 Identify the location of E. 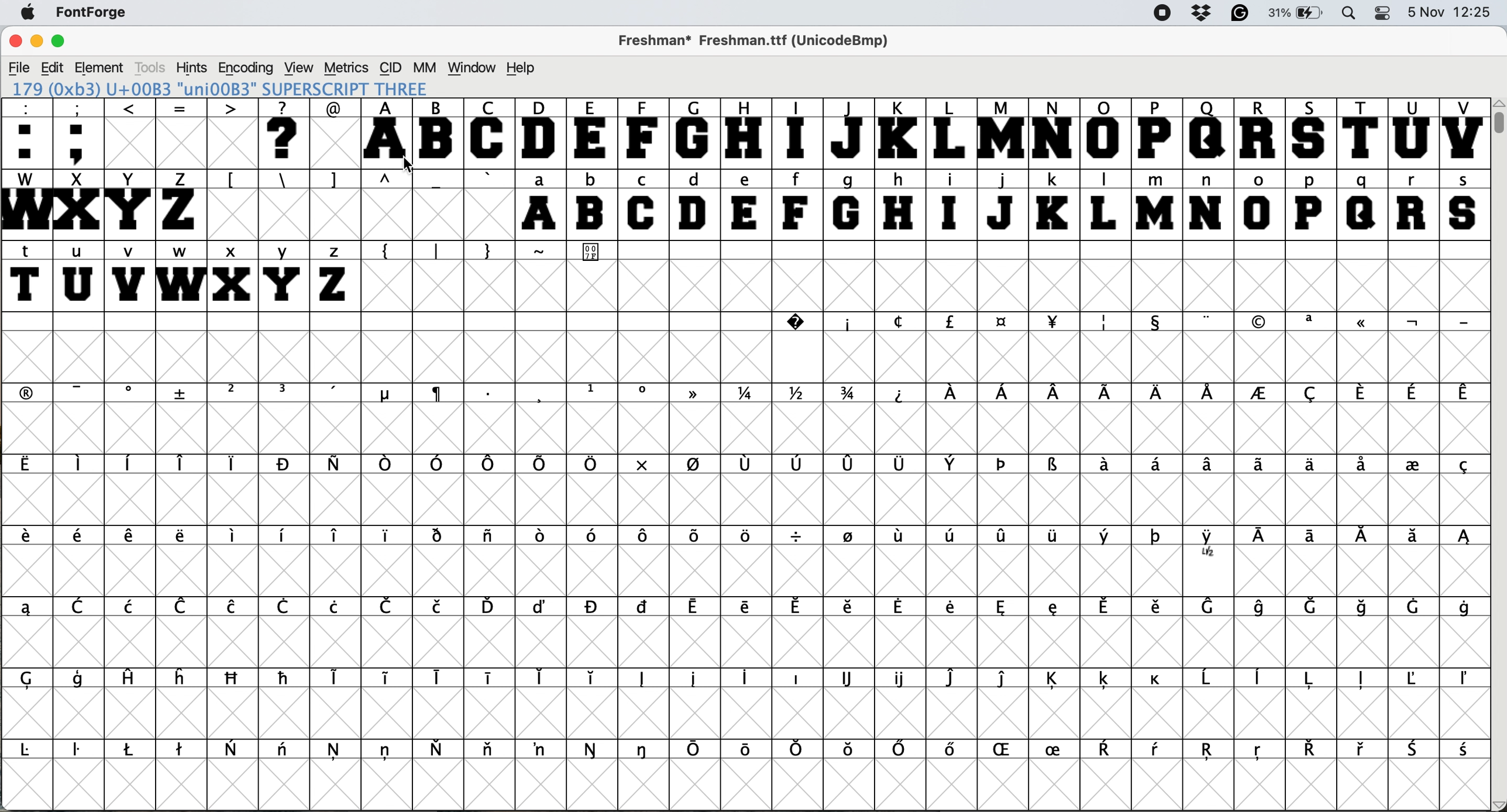
(592, 132).